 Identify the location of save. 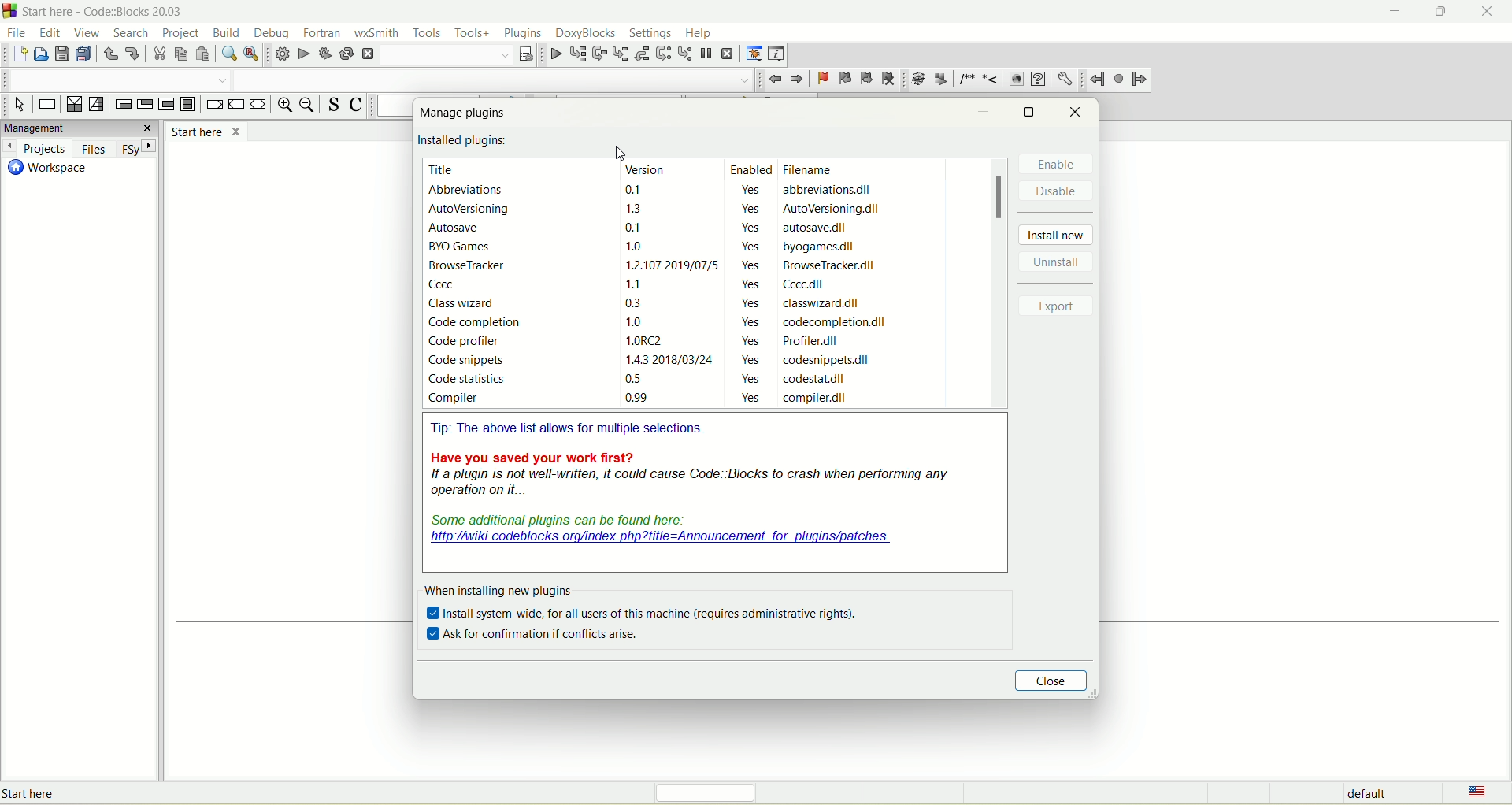
(60, 54).